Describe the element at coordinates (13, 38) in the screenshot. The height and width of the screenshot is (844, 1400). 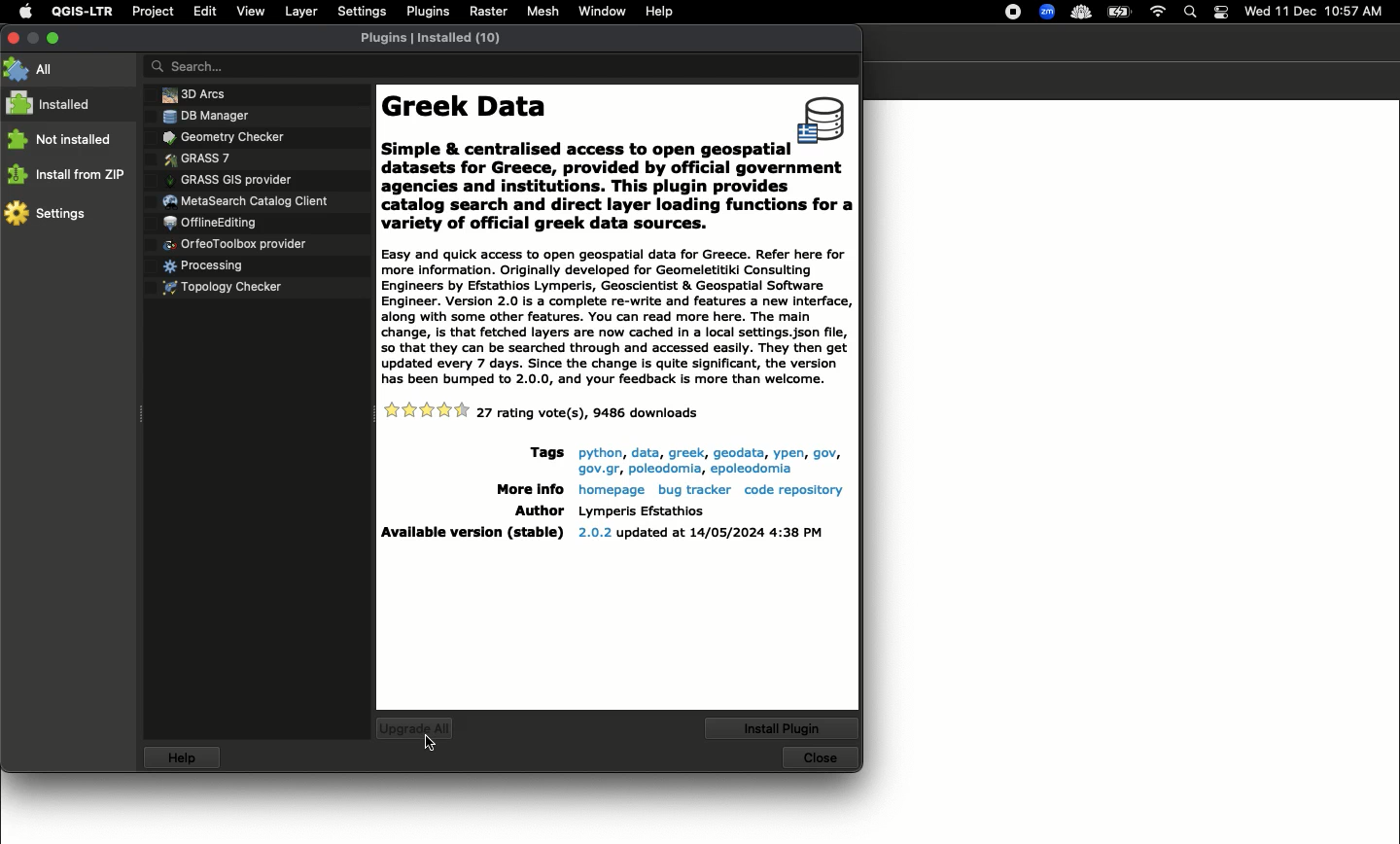
I see `Close` at that location.